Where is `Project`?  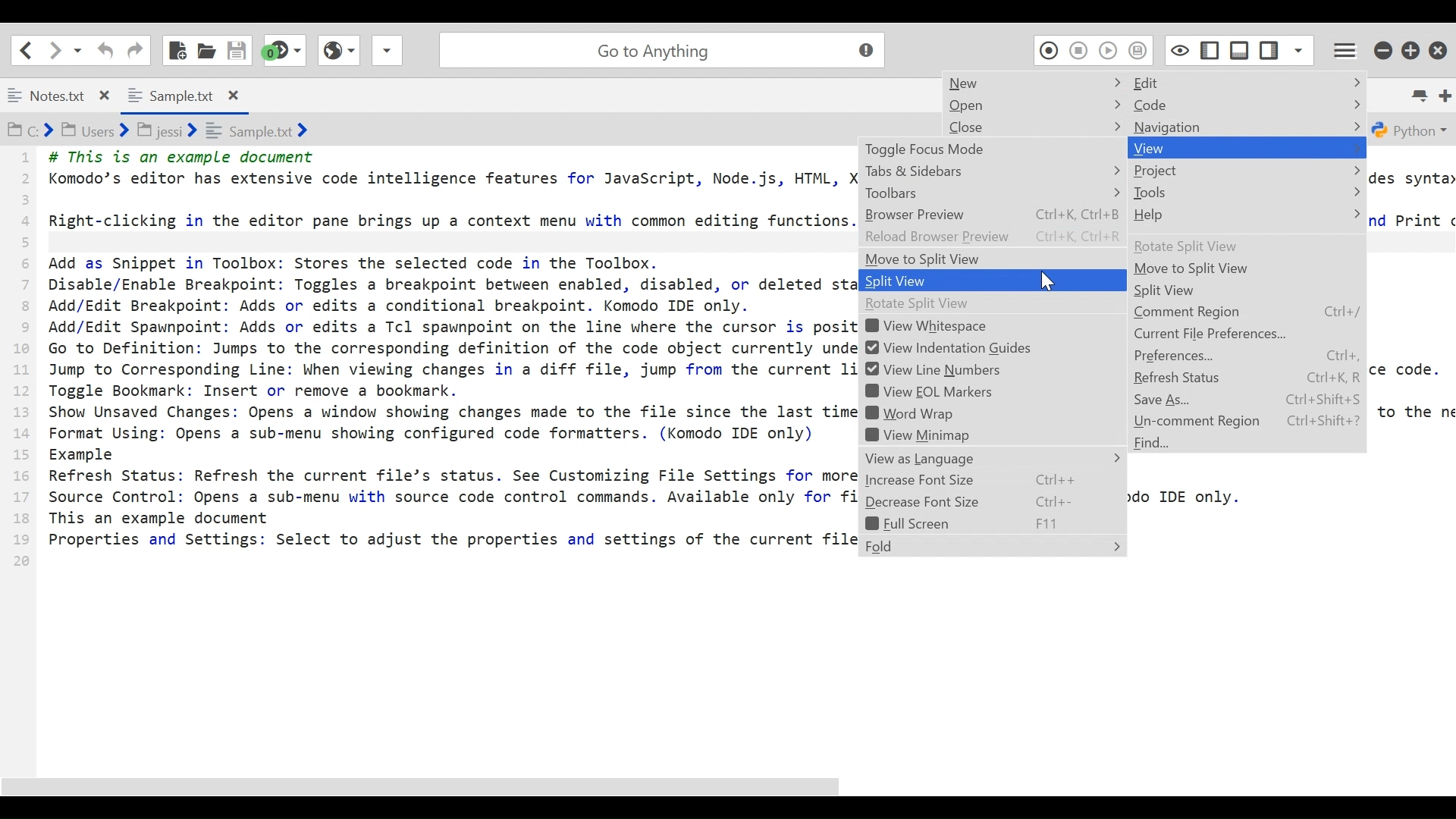
Project is located at coordinates (1247, 171).